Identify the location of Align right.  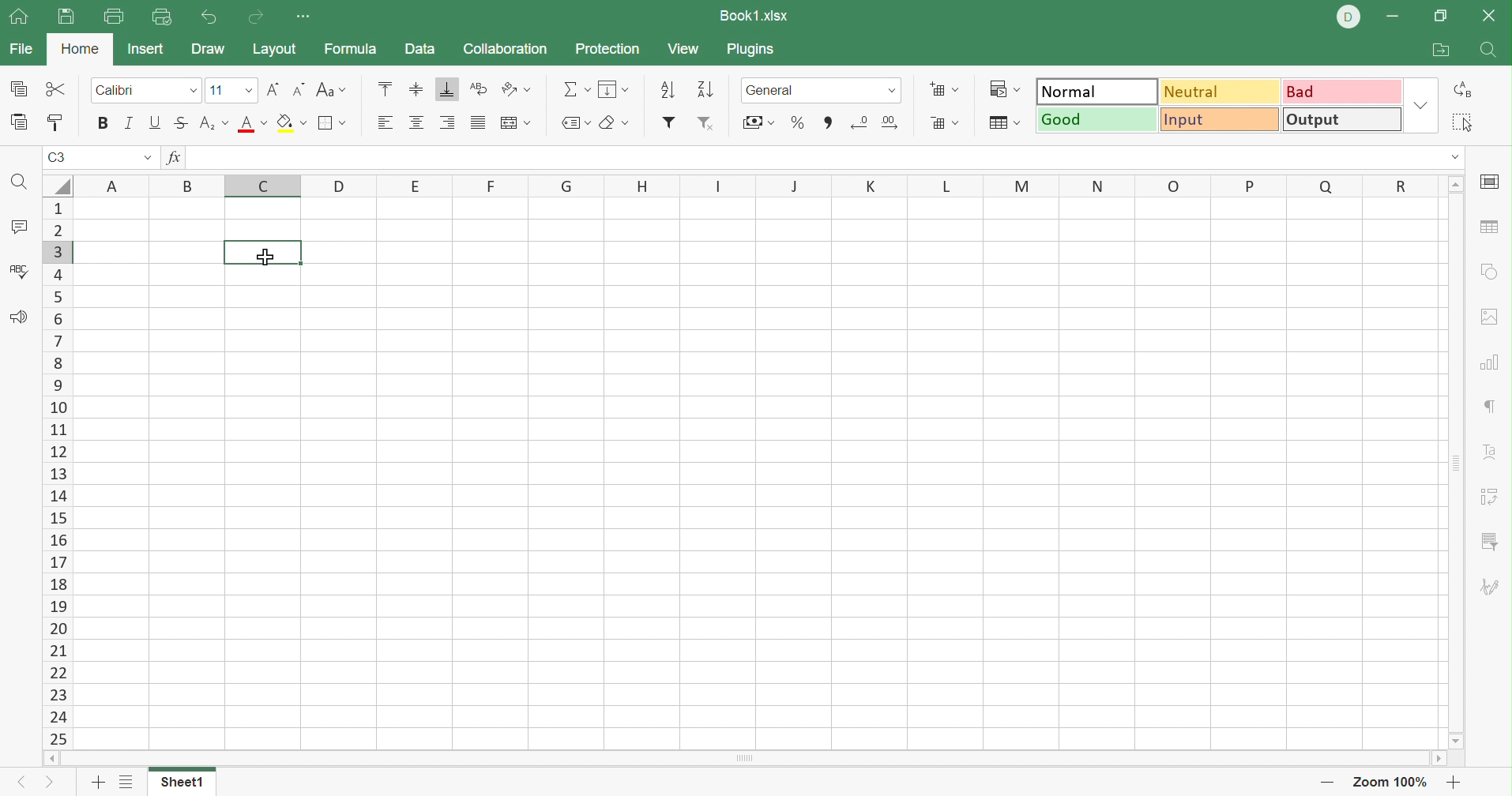
(446, 122).